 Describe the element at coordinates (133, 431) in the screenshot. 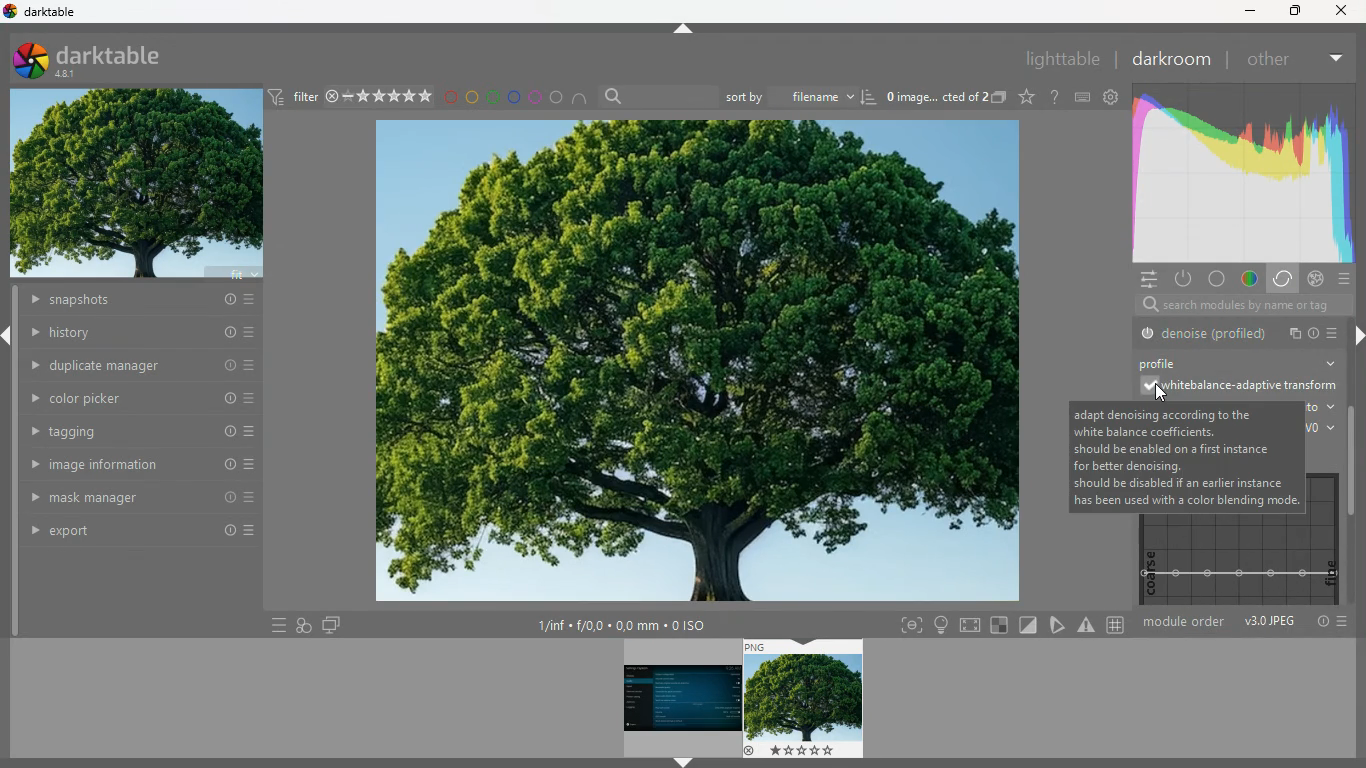

I see `tagging` at that location.